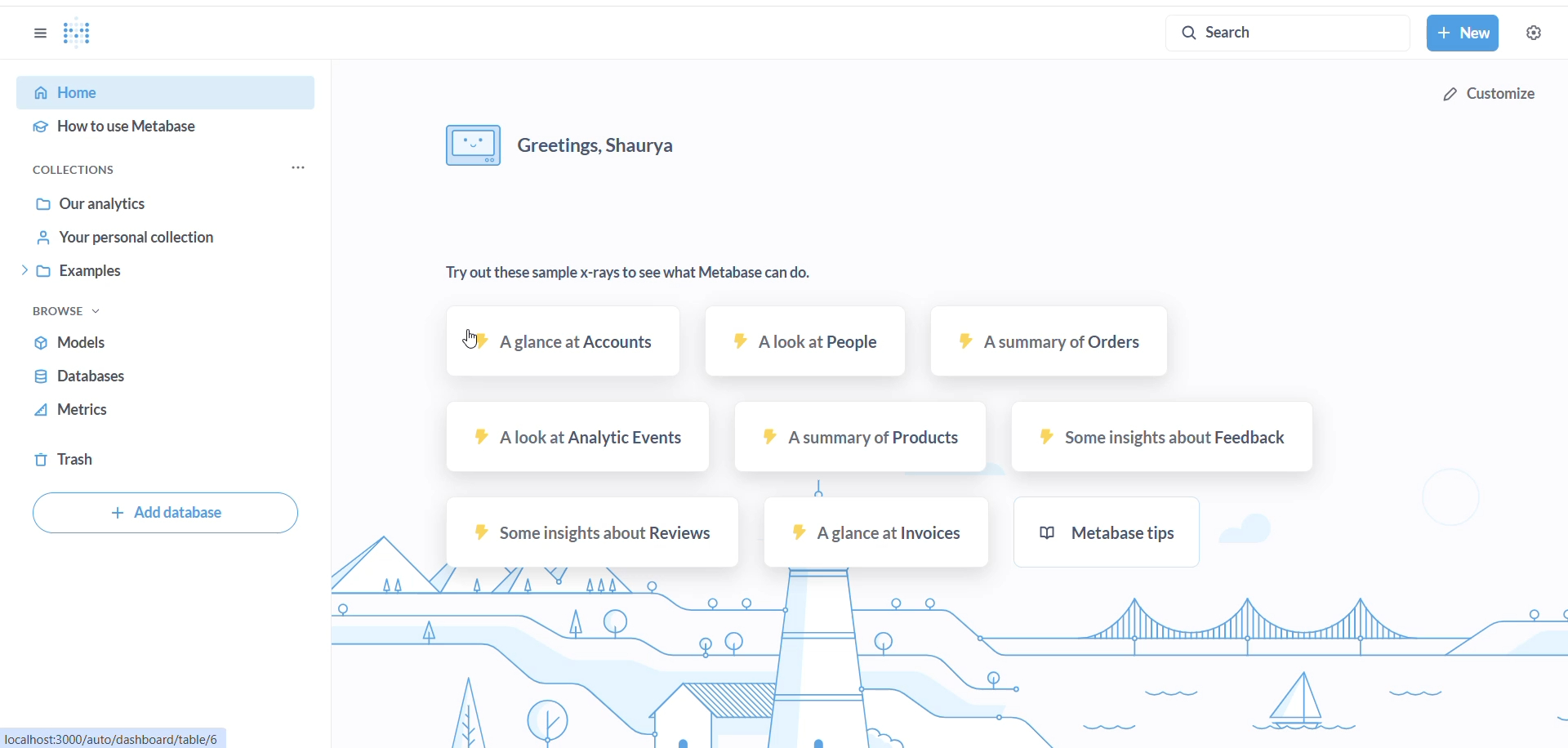 The height and width of the screenshot is (748, 1568). Describe the element at coordinates (630, 273) in the screenshot. I see `text` at that location.